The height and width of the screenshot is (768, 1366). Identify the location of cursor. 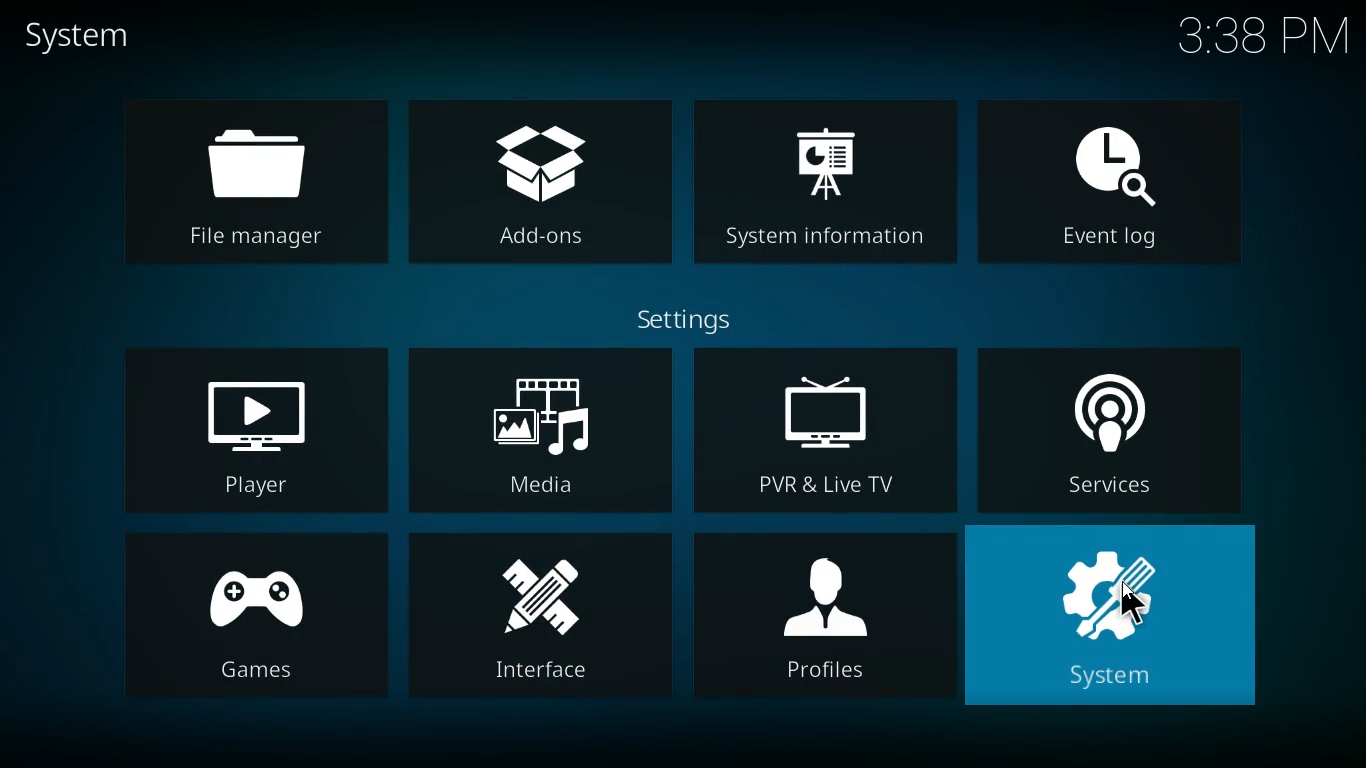
(1126, 610).